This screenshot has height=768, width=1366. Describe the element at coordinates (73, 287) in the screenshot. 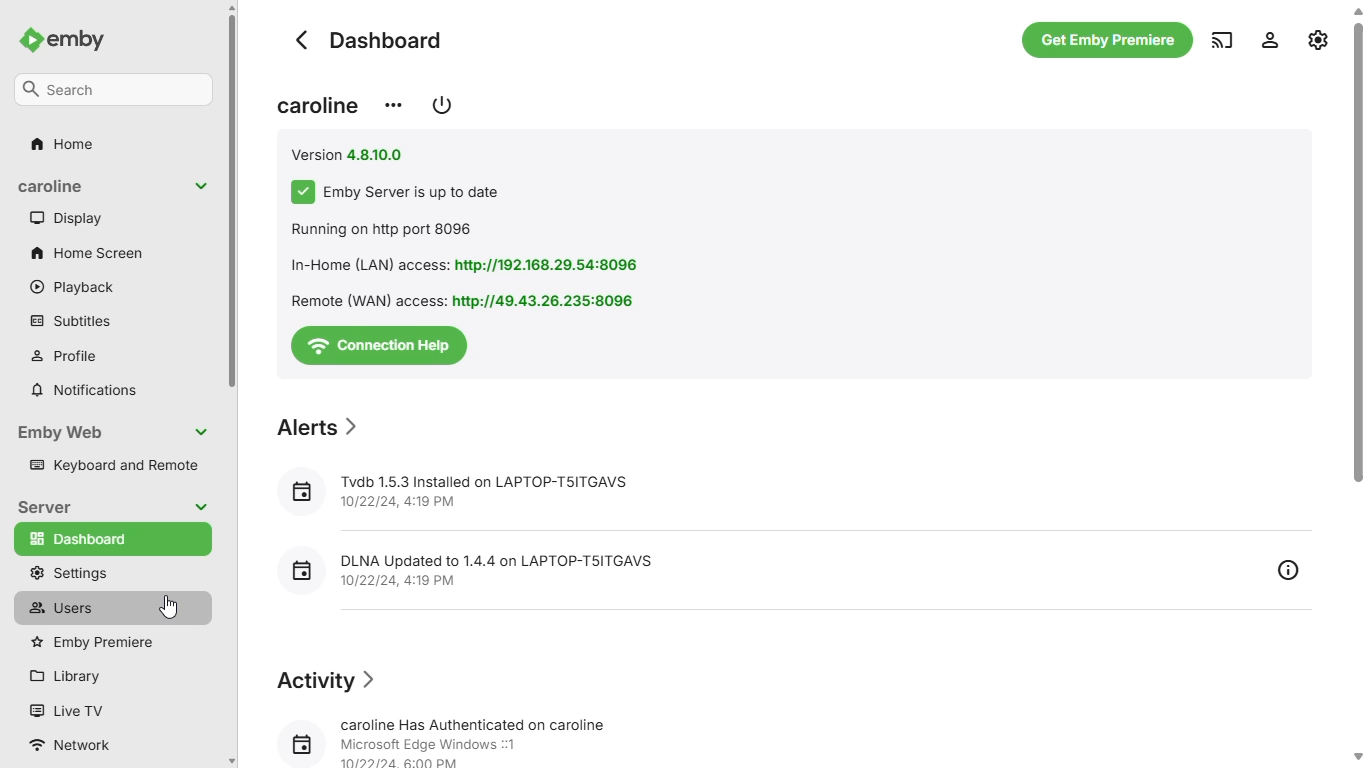

I see `playback` at that location.